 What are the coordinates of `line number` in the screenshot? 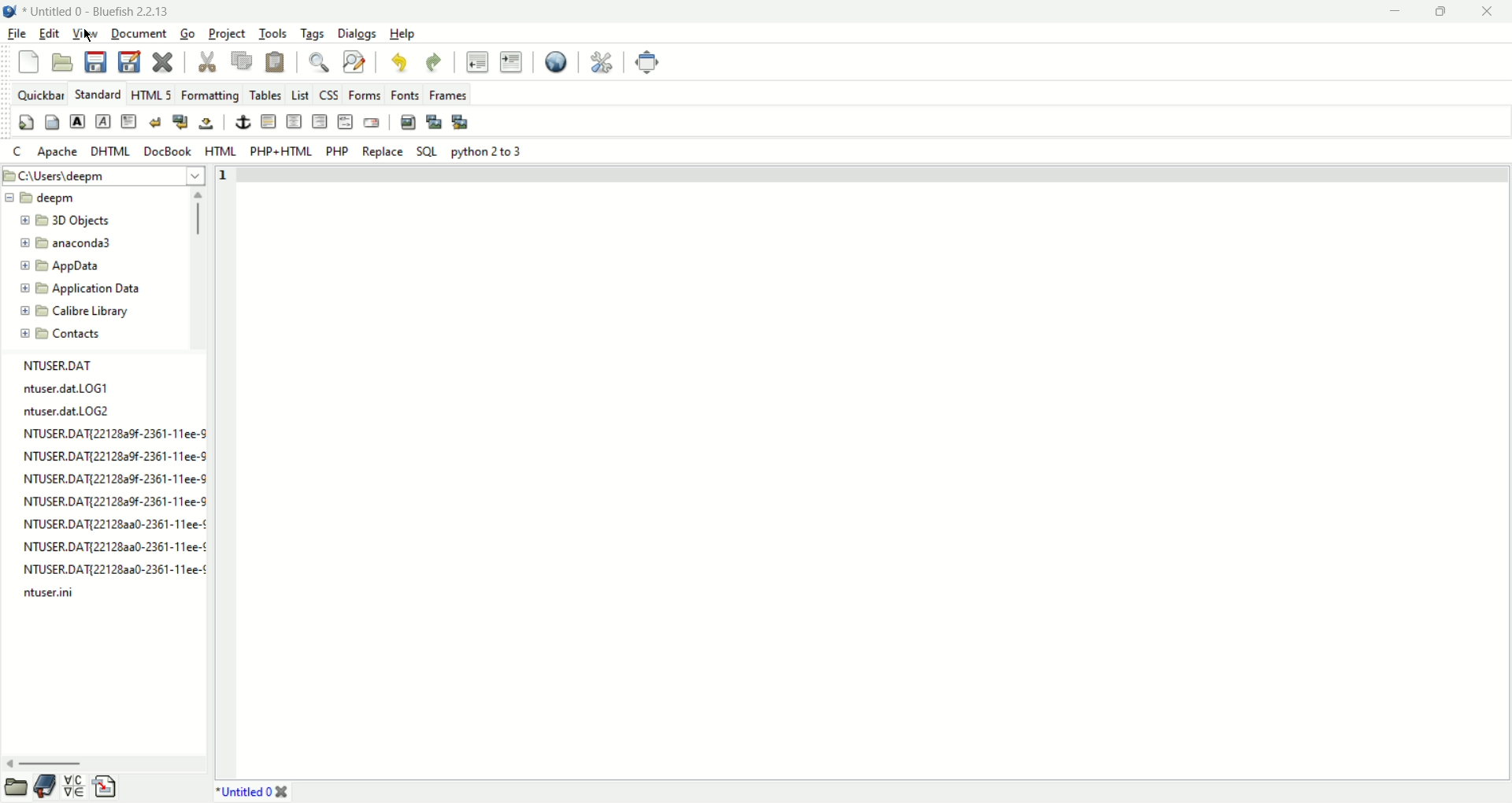 It's located at (228, 474).